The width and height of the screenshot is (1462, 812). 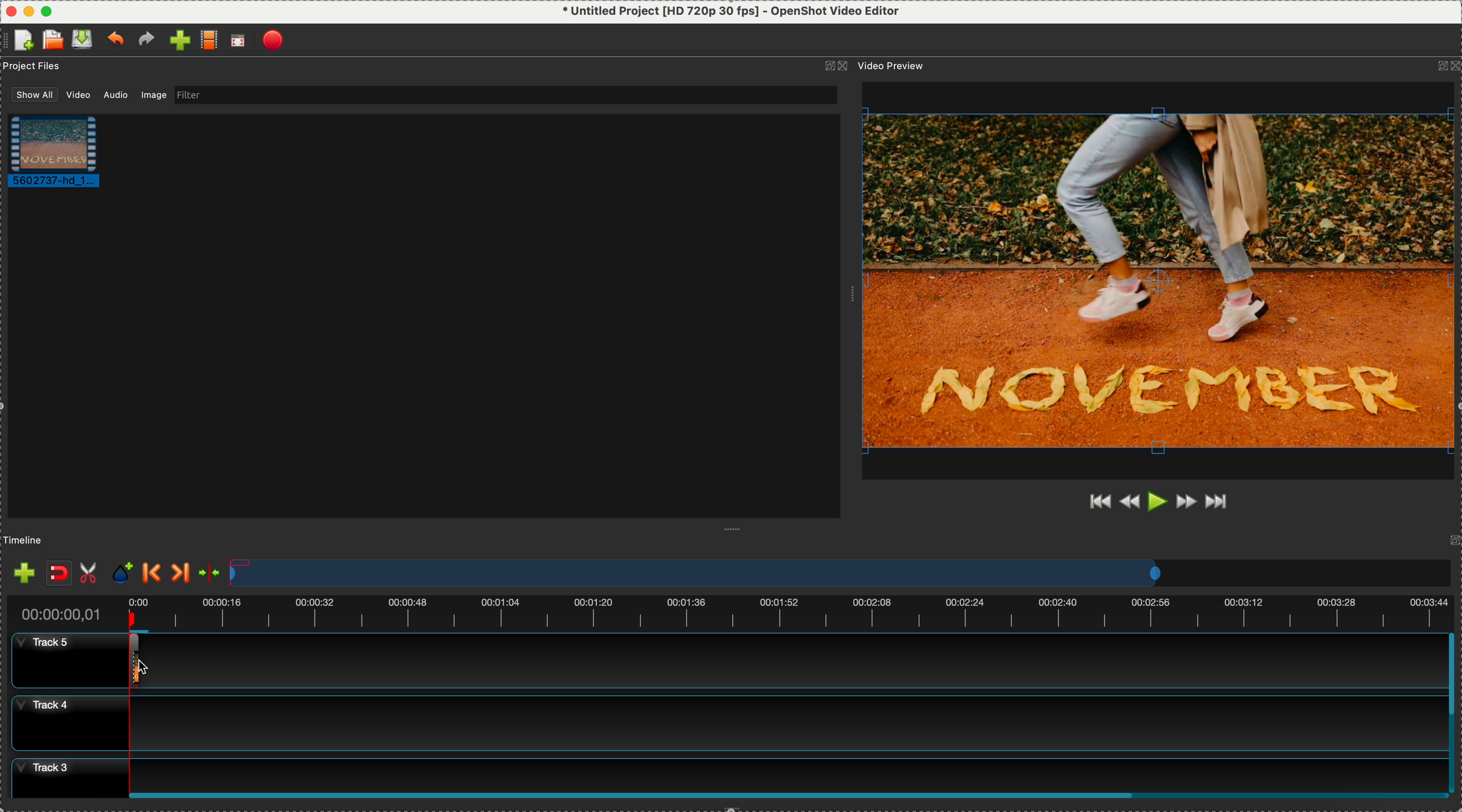 What do you see at coordinates (839, 573) in the screenshot?
I see `timeline` at bounding box center [839, 573].